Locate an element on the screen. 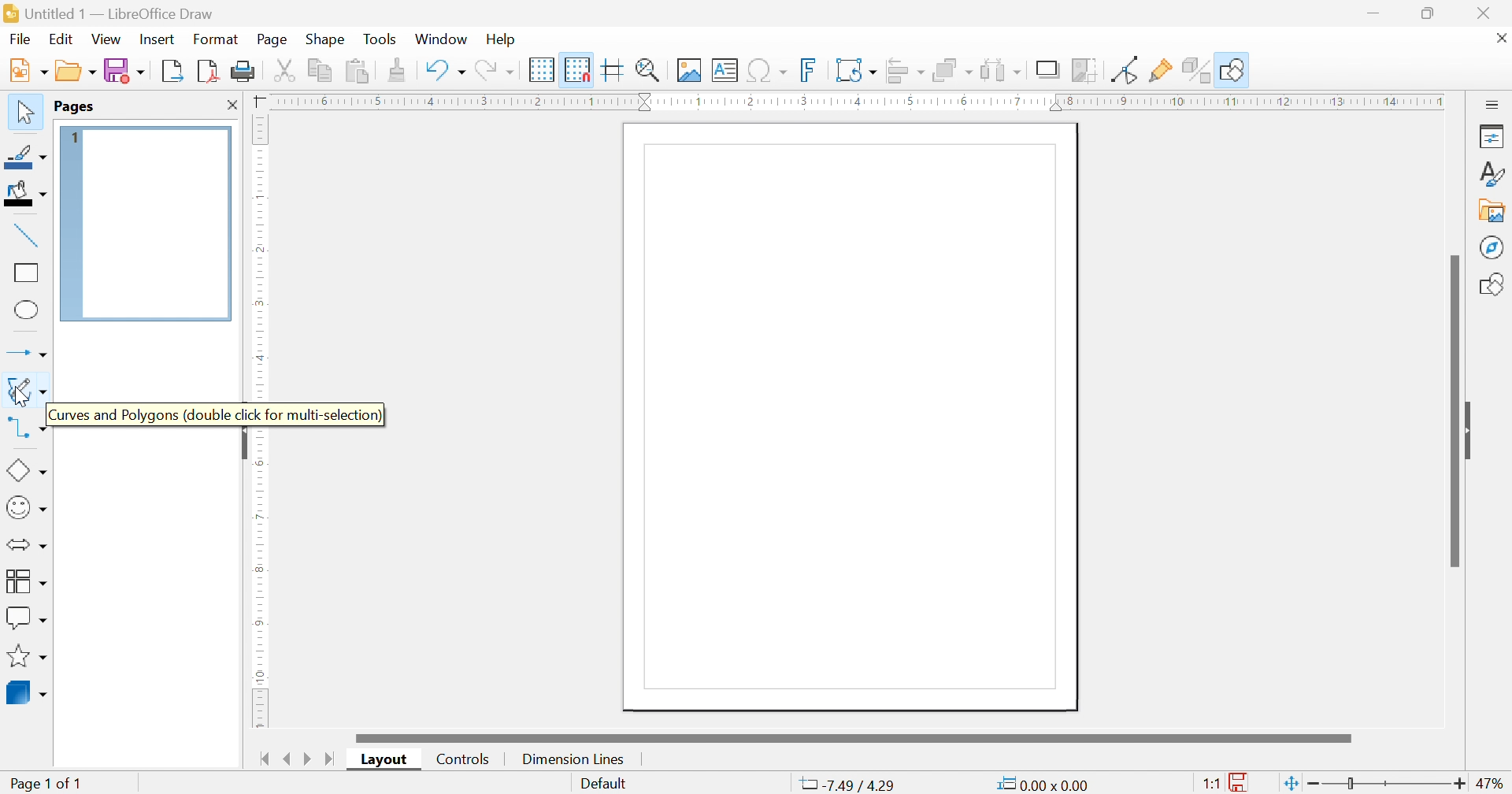 The width and height of the screenshot is (1512, 794). clone formatting is located at coordinates (399, 70).